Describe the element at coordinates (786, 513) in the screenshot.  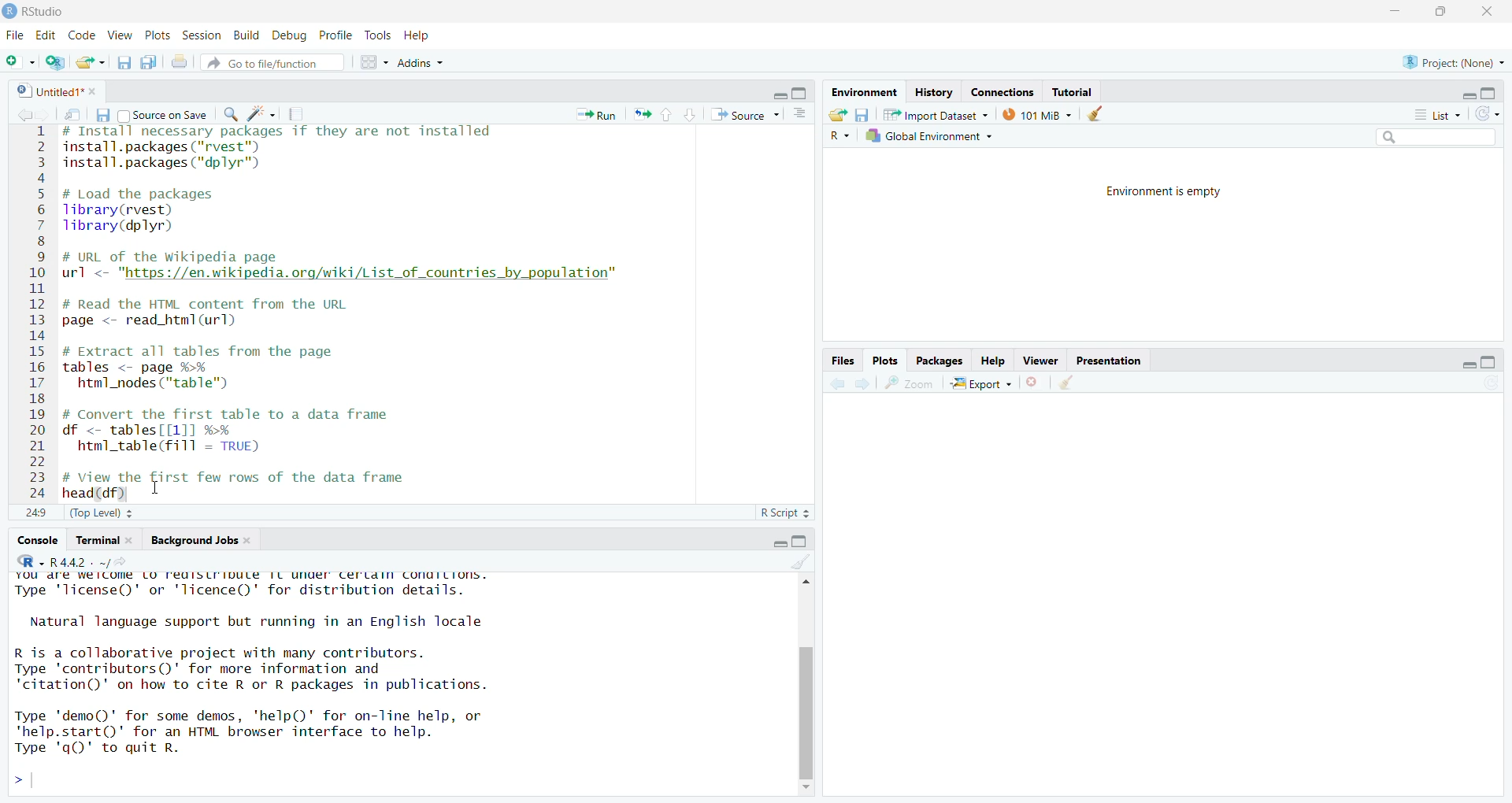
I see `R Script` at that location.